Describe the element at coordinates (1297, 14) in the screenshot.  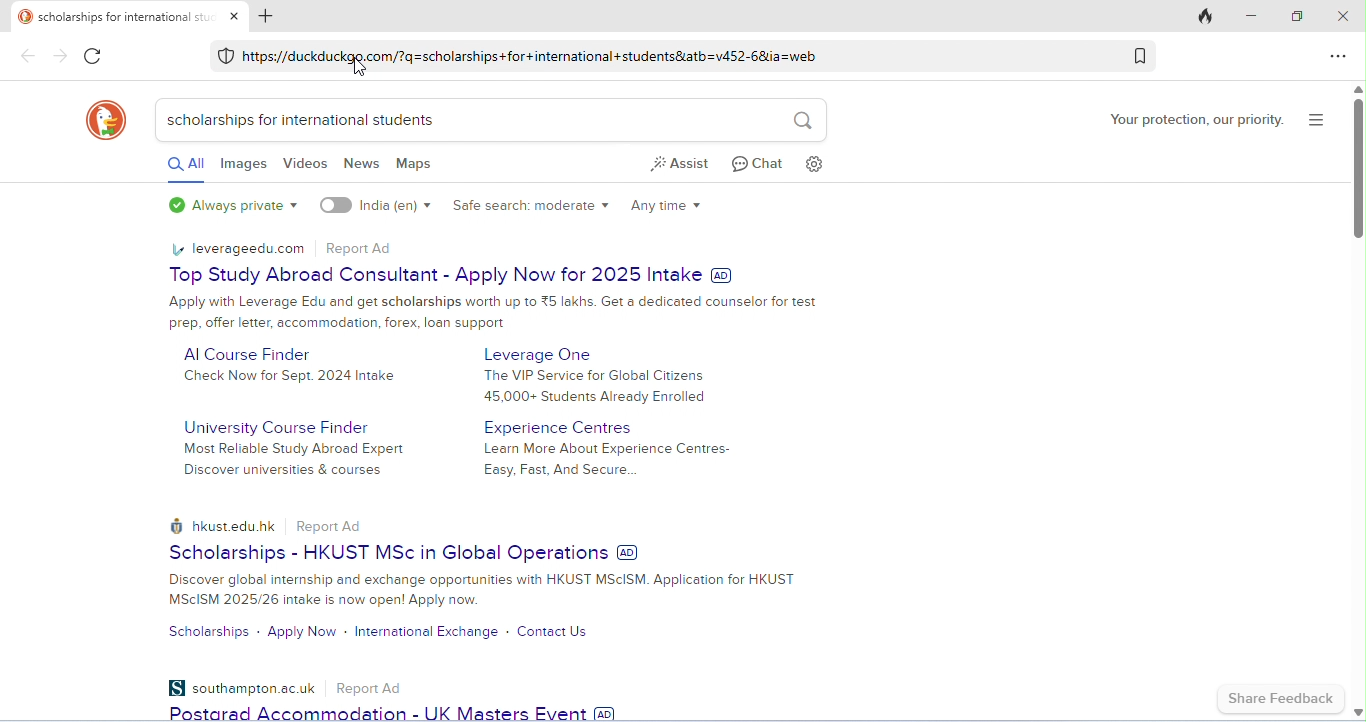
I see `maximize` at that location.